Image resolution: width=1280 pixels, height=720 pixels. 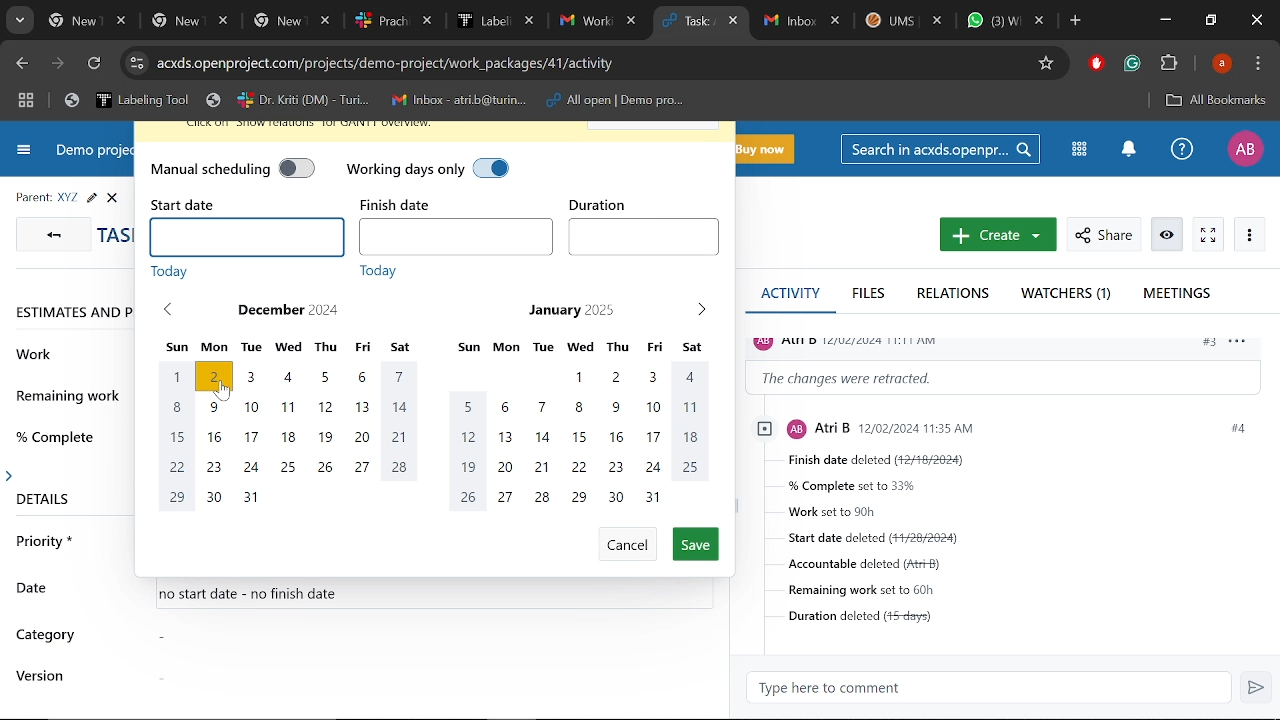 I want to click on Bookmarked tabs, so click(x=378, y=101).